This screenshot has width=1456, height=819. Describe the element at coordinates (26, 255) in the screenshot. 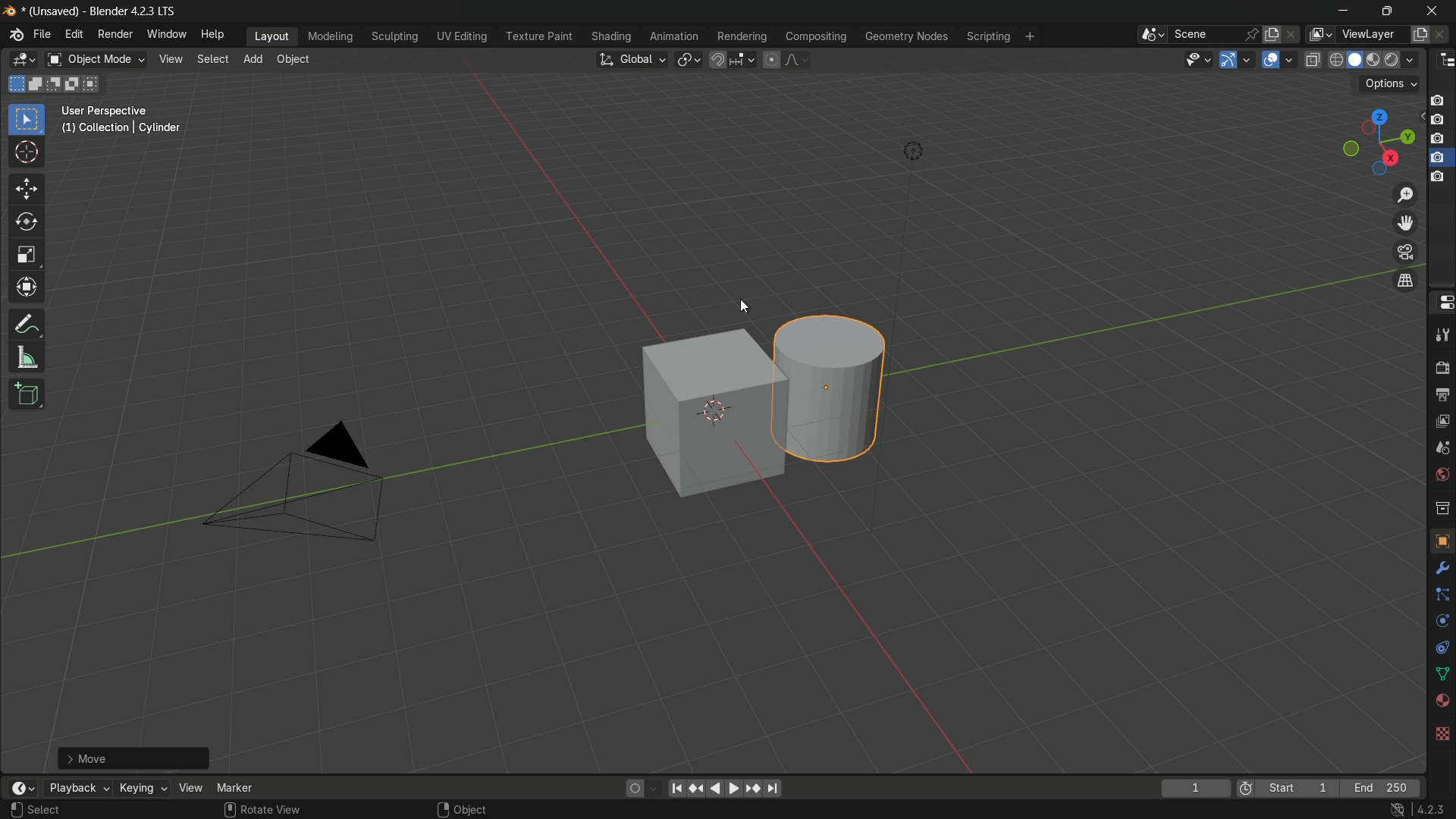

I see `scale` at that location.